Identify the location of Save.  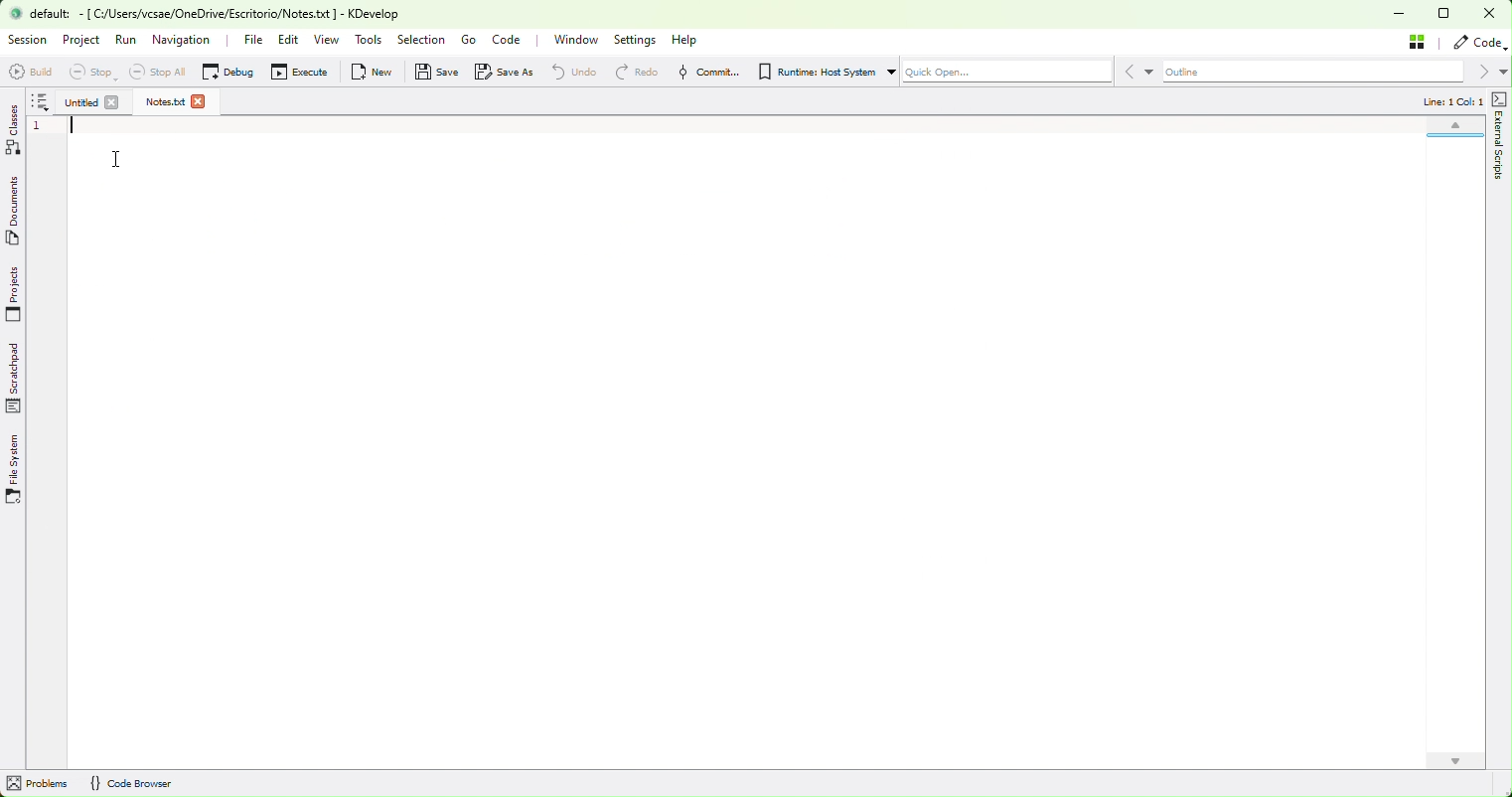
(440, 72).